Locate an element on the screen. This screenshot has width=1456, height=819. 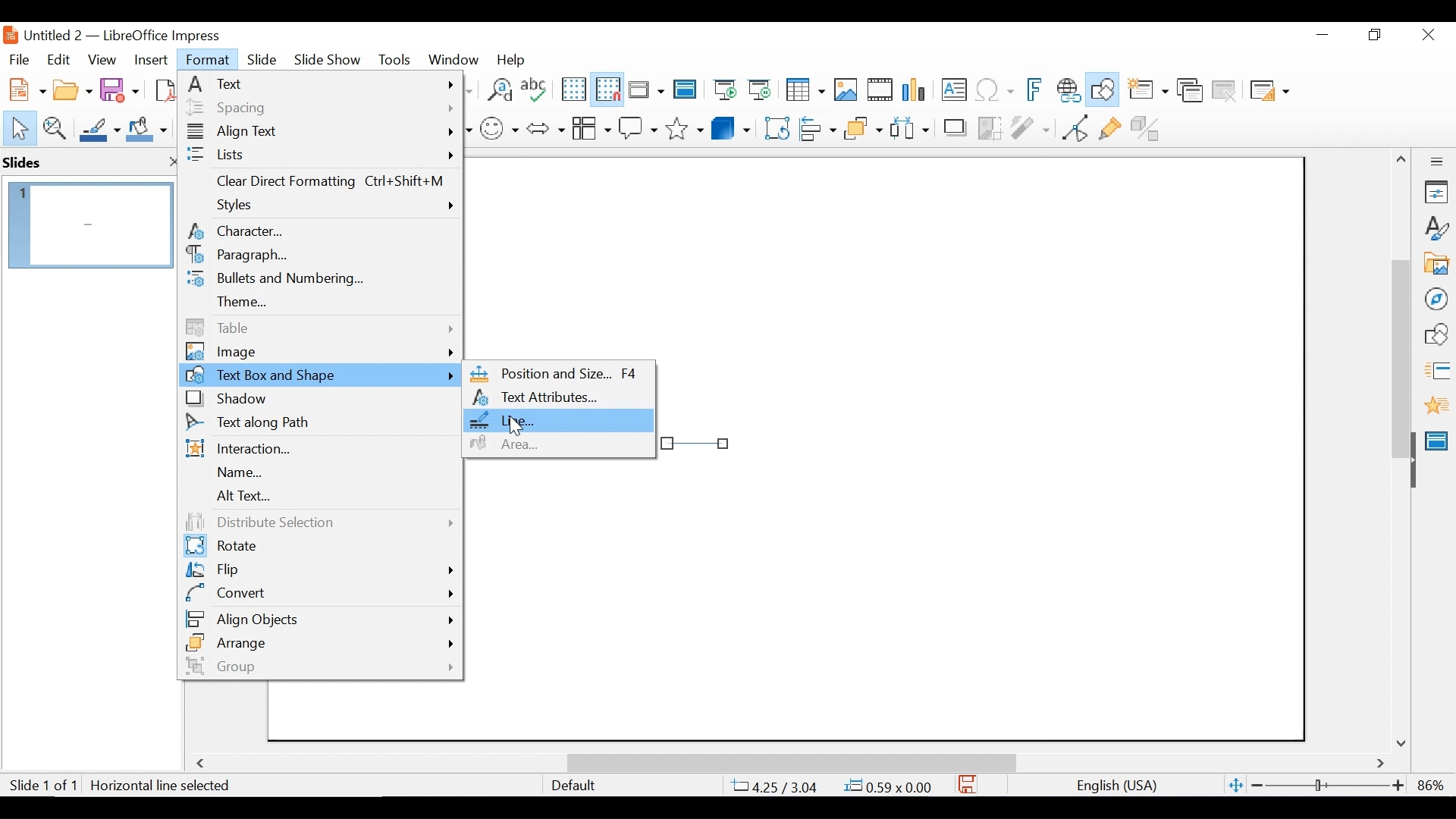
Spacing is located at coordinates (319, 107).